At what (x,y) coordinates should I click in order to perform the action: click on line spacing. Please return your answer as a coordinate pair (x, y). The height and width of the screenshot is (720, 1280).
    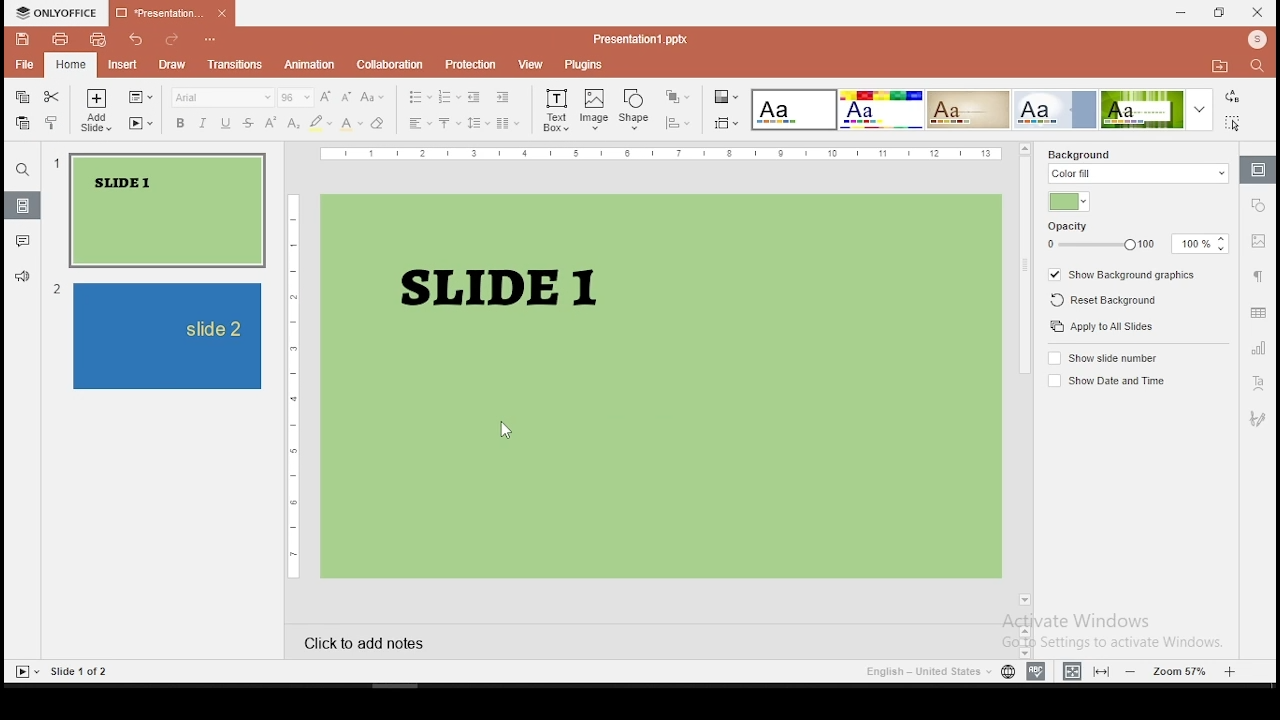
    Looking at the image, I should click on (478, 122).